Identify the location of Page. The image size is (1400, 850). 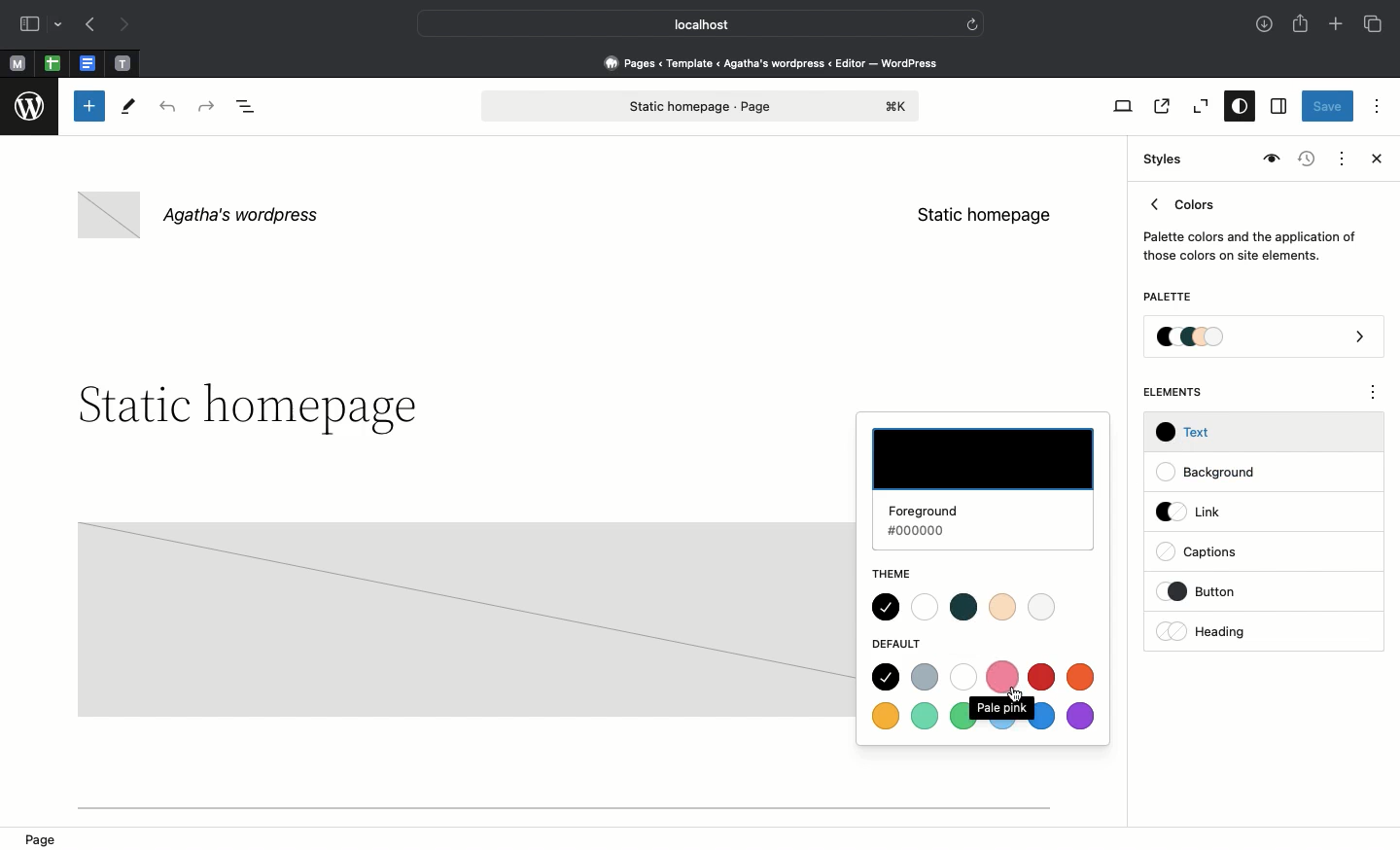
(46, 838).